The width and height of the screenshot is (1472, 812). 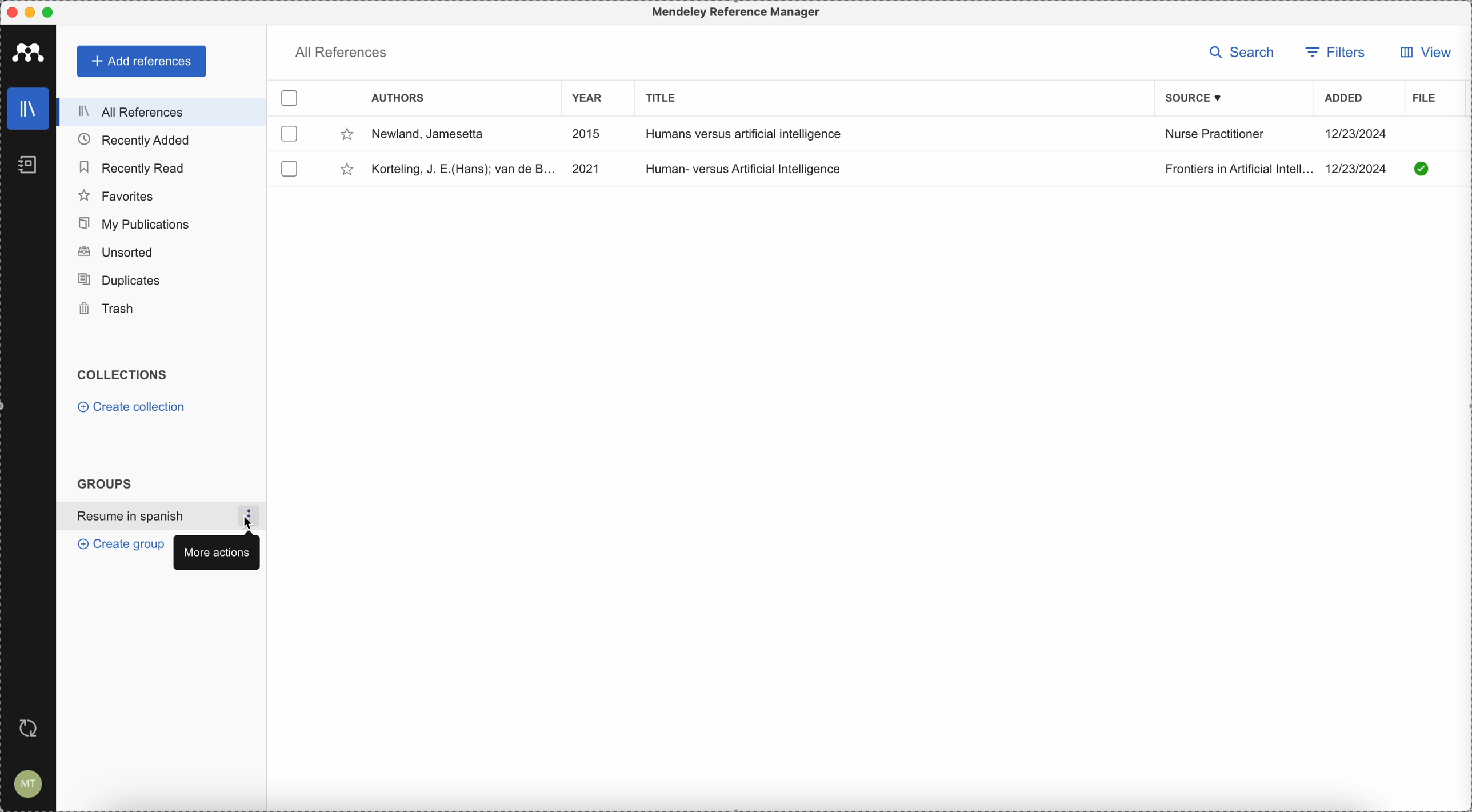 What do you see at coordinates (123, 375) in the screenshot?
I see `collections` at bounding box center [123, 375].